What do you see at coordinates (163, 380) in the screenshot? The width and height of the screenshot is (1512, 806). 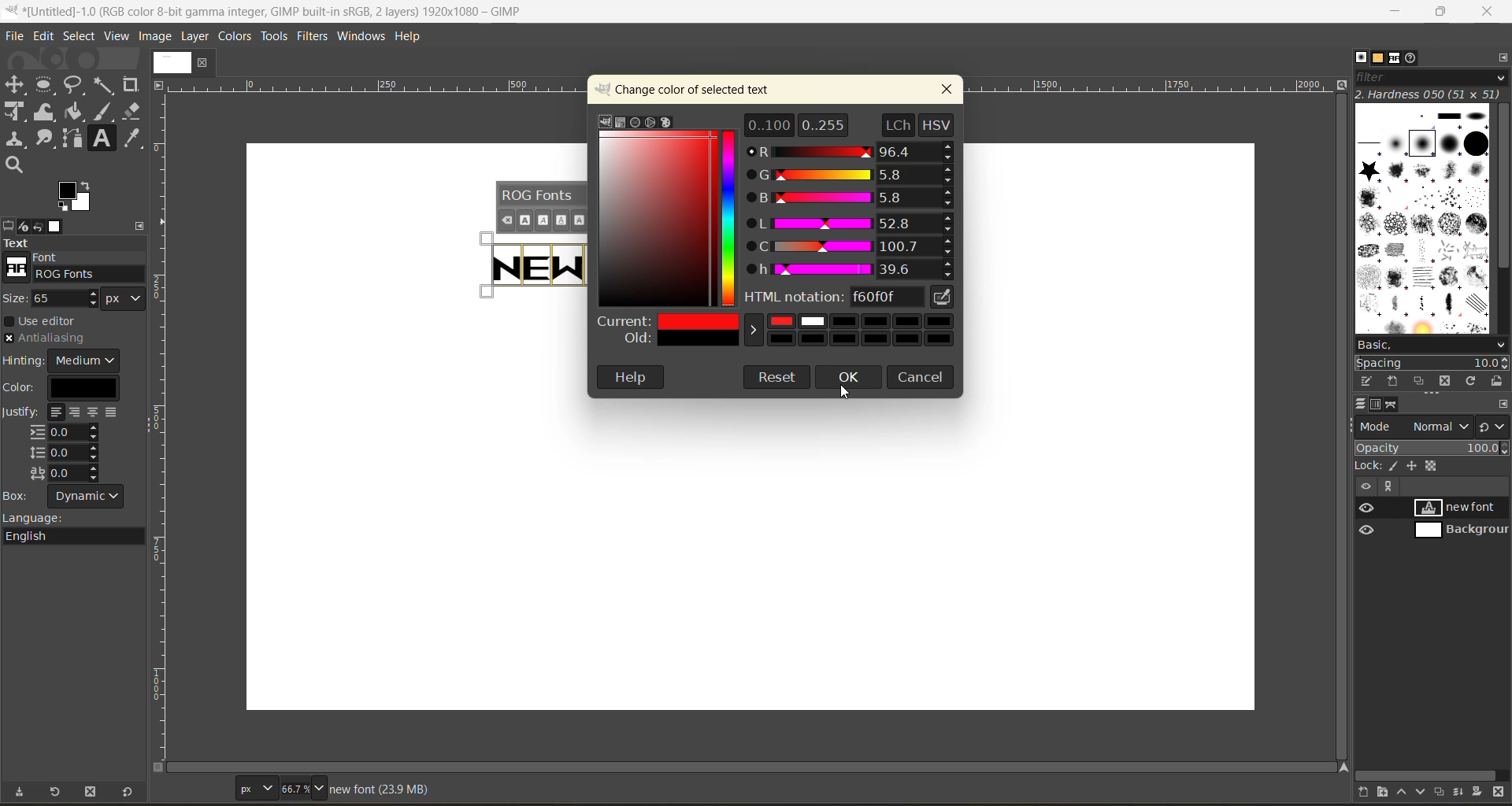 I see `scale` at bounding box center [163, 380].